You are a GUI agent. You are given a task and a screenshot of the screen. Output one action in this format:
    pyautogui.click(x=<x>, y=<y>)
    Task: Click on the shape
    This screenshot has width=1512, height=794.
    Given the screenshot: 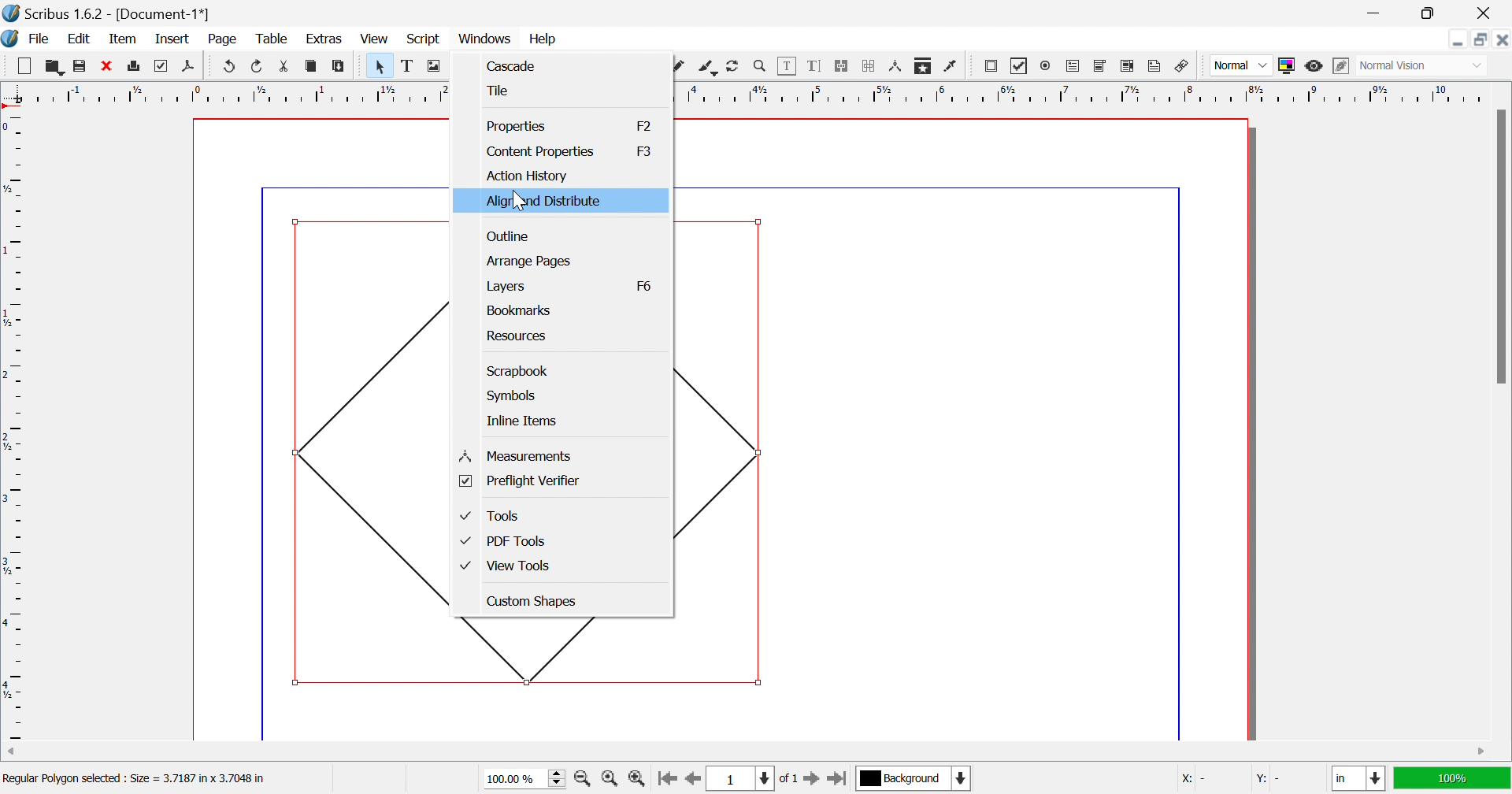 What is the action you would take?
    pyautogui.click(x=730, y=451)
    